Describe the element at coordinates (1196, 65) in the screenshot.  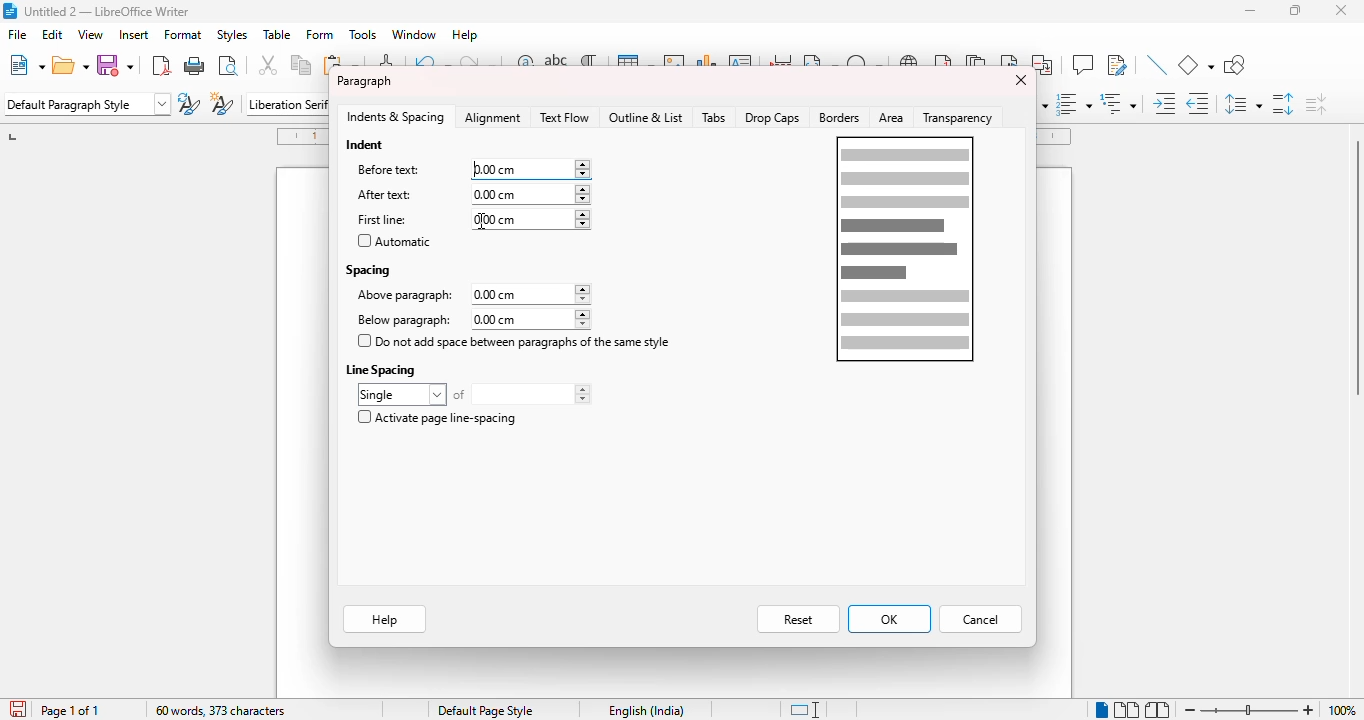
I see `basic shapes` at that location.